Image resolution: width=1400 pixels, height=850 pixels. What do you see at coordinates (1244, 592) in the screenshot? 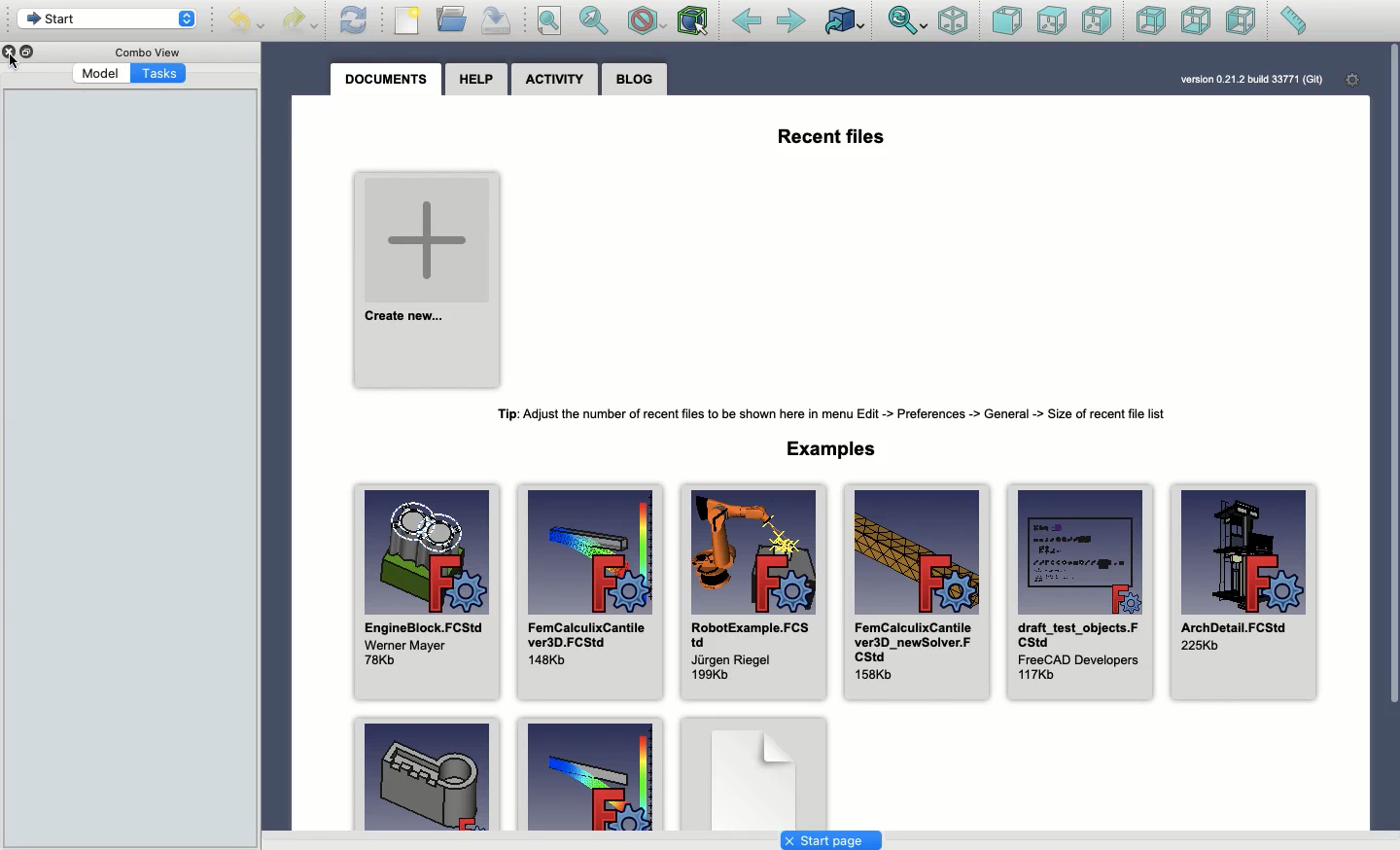
I see `ArchDetail.FCStd` at bounding box center [1244, 592].